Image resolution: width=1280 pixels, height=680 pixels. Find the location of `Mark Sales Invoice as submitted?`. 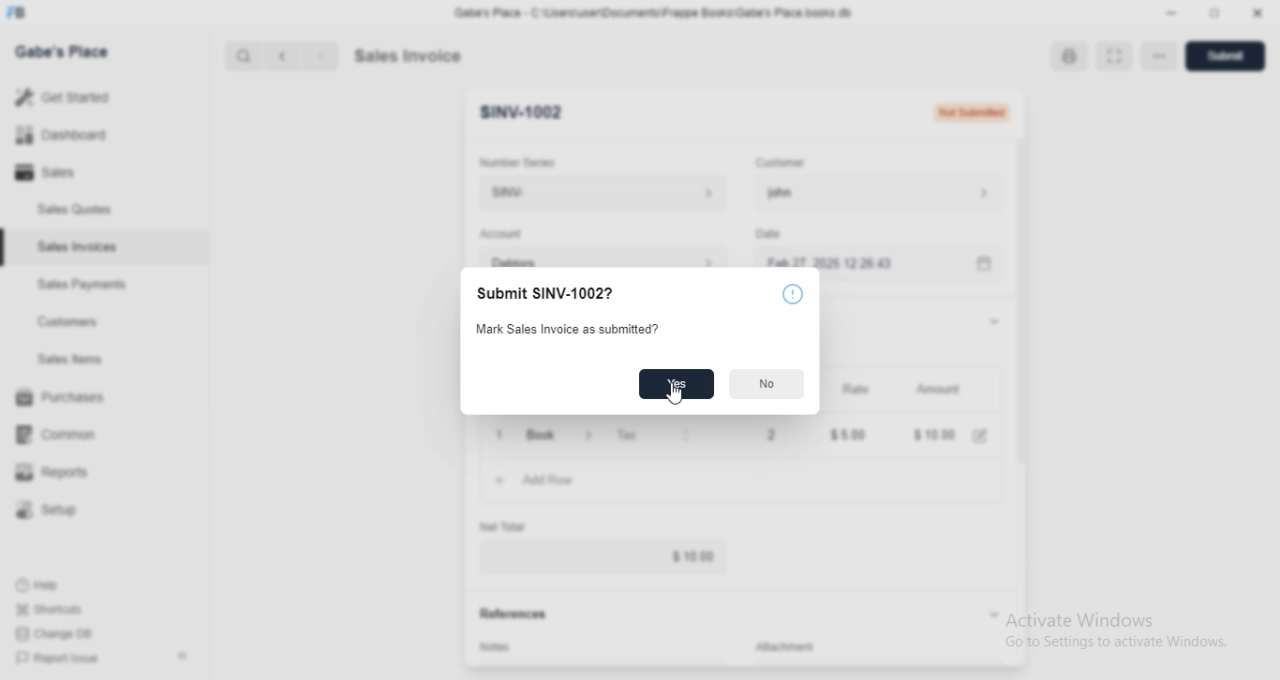

Mark Sales Invoice as submitted? is located at coordinates (560, 329).